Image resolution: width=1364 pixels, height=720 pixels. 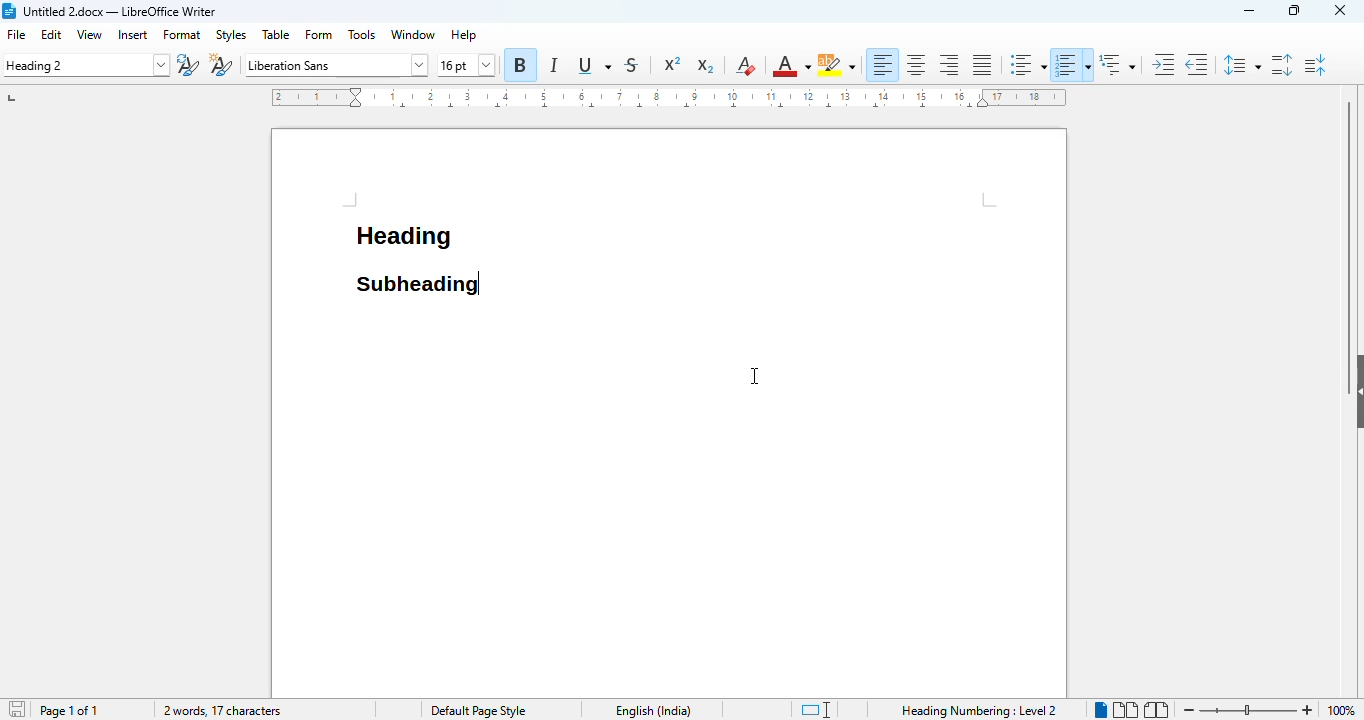 What do you see at coordinates (223, 711) in the screenshot?
I see `2 words, 17 characters` at bounding box center [223, 711].